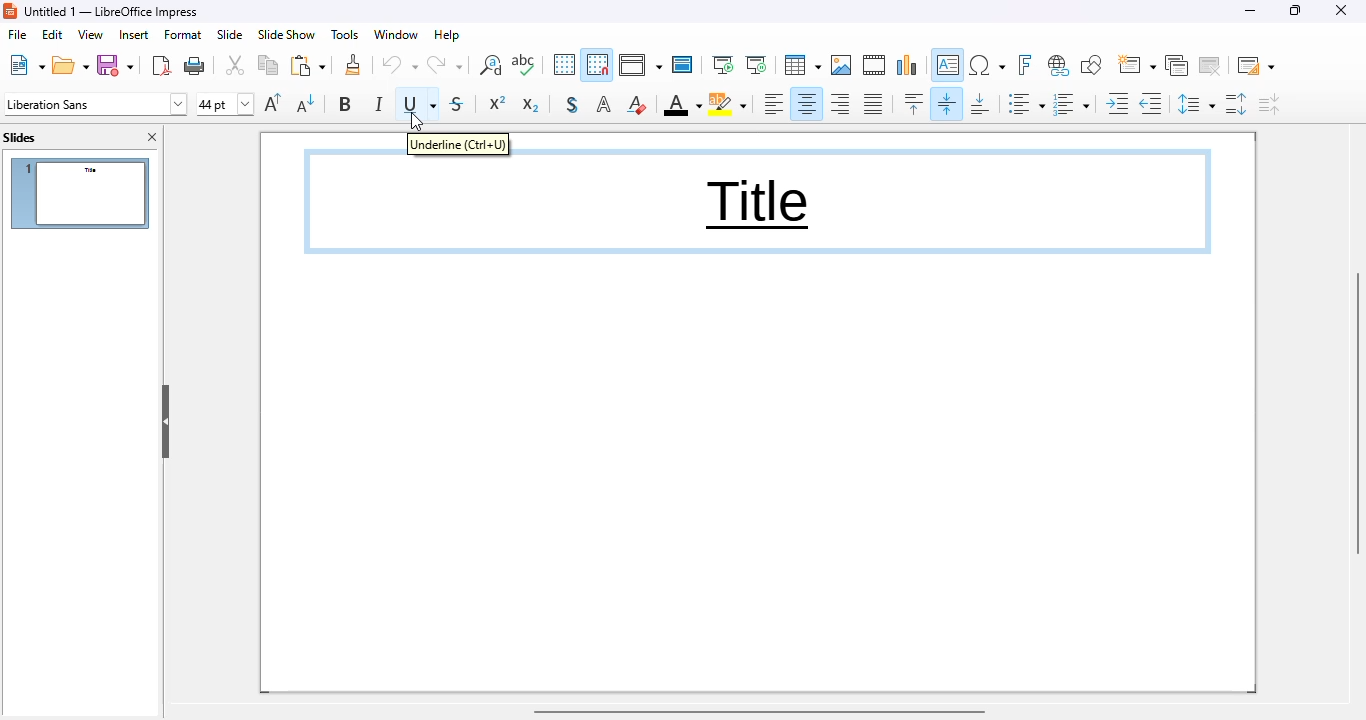 The image size is (1366, 720). I want to click on align right, so click(841, 104).